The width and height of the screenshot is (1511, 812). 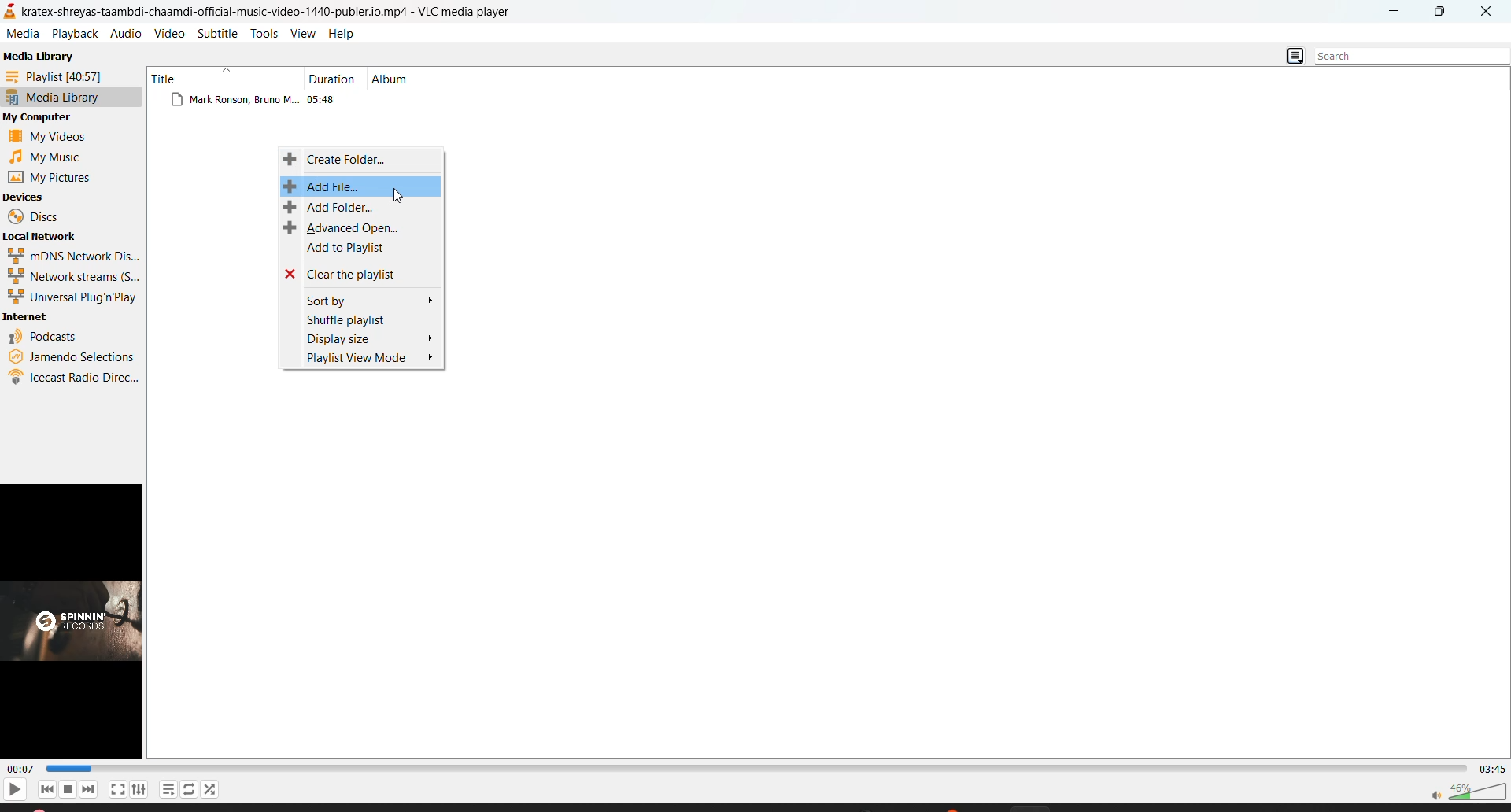 What do you see at coordinates (401, 196) in the screenshot?
I see `cursor` at bounding box center [401, 196].